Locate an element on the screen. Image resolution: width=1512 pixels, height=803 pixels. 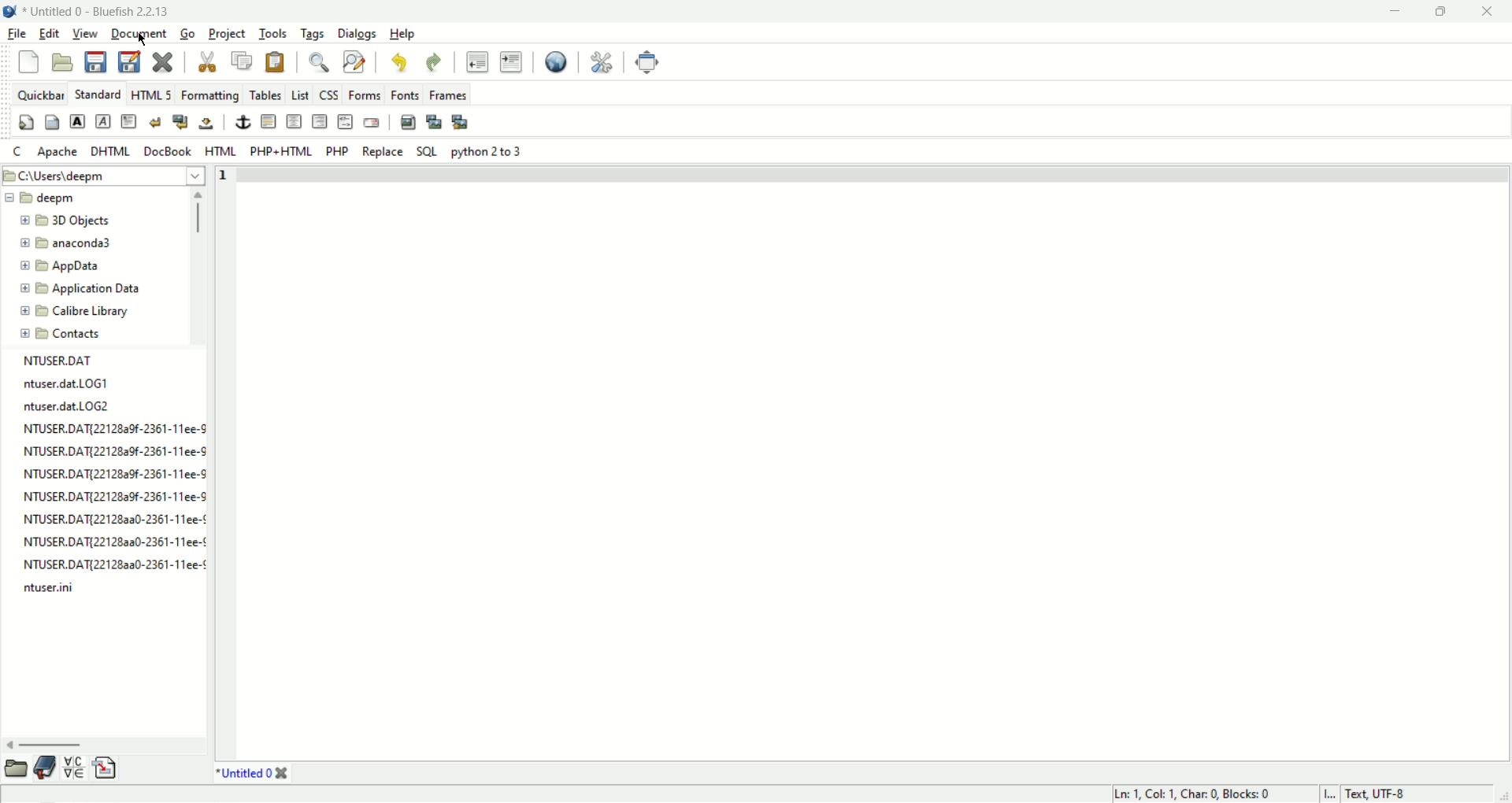
file browser is located at coordinates (14, 768).